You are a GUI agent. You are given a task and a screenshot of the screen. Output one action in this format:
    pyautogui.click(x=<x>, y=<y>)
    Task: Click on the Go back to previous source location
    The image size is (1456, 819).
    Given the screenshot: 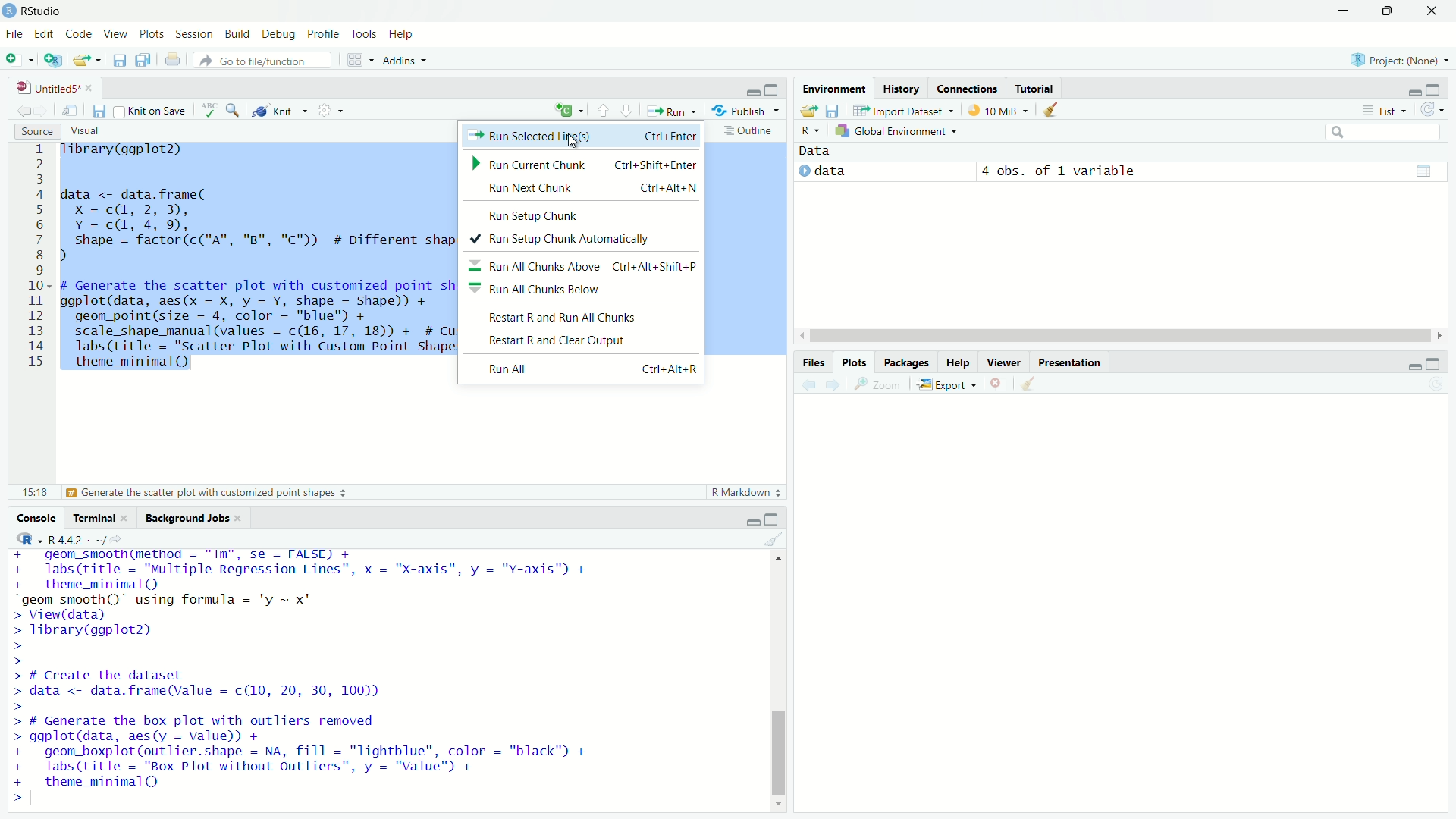 What is the action you would take?
    pyautogui.click(x=23, y=110)
    